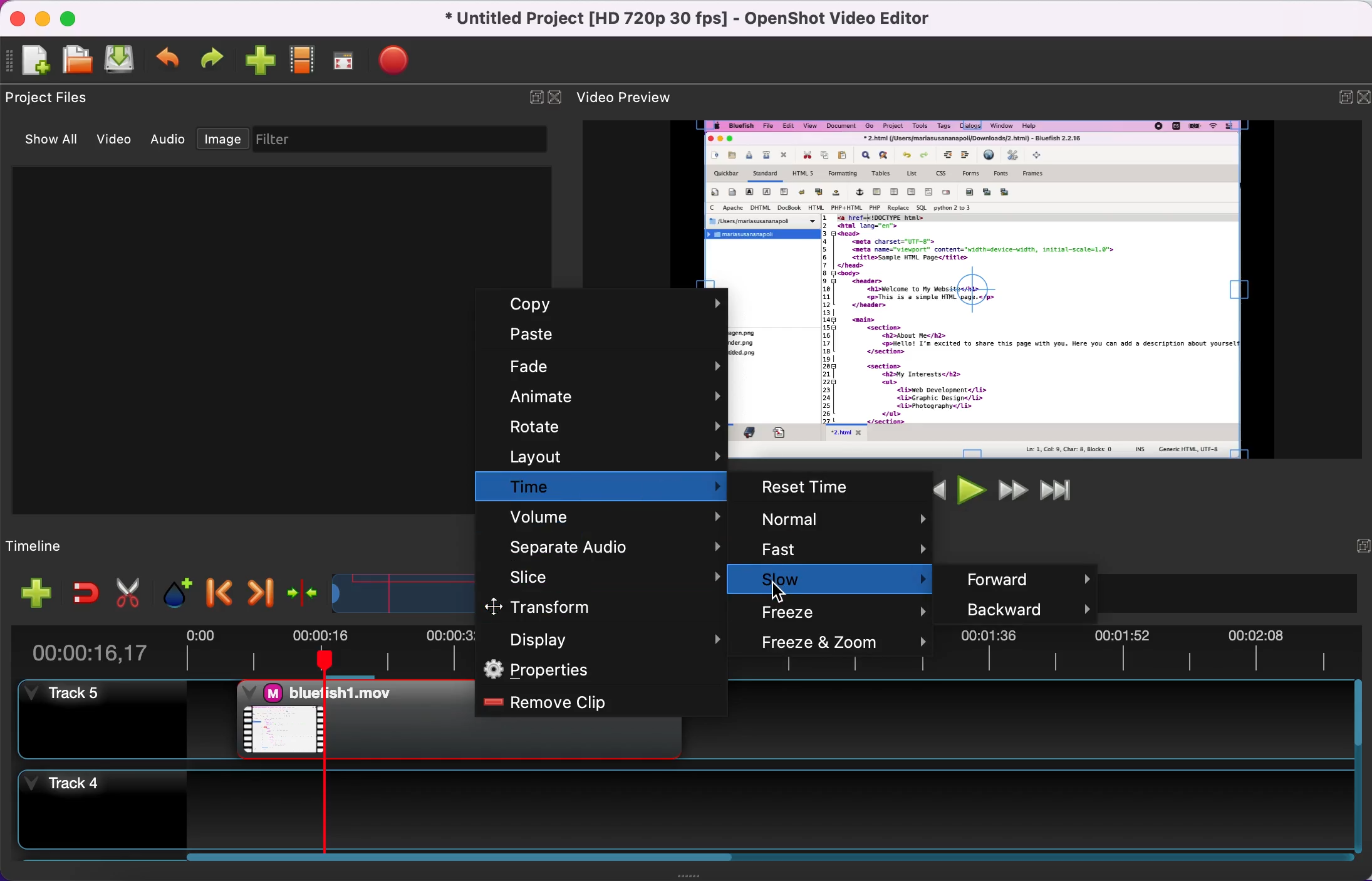 The height and width of the screenshot is (881, 1372). Describe the element at coordinates (689, 19) in the screenshot. I see `title - Untitled Project [HD 720p 30 fps] - OpenShot Video Editor` at that location.